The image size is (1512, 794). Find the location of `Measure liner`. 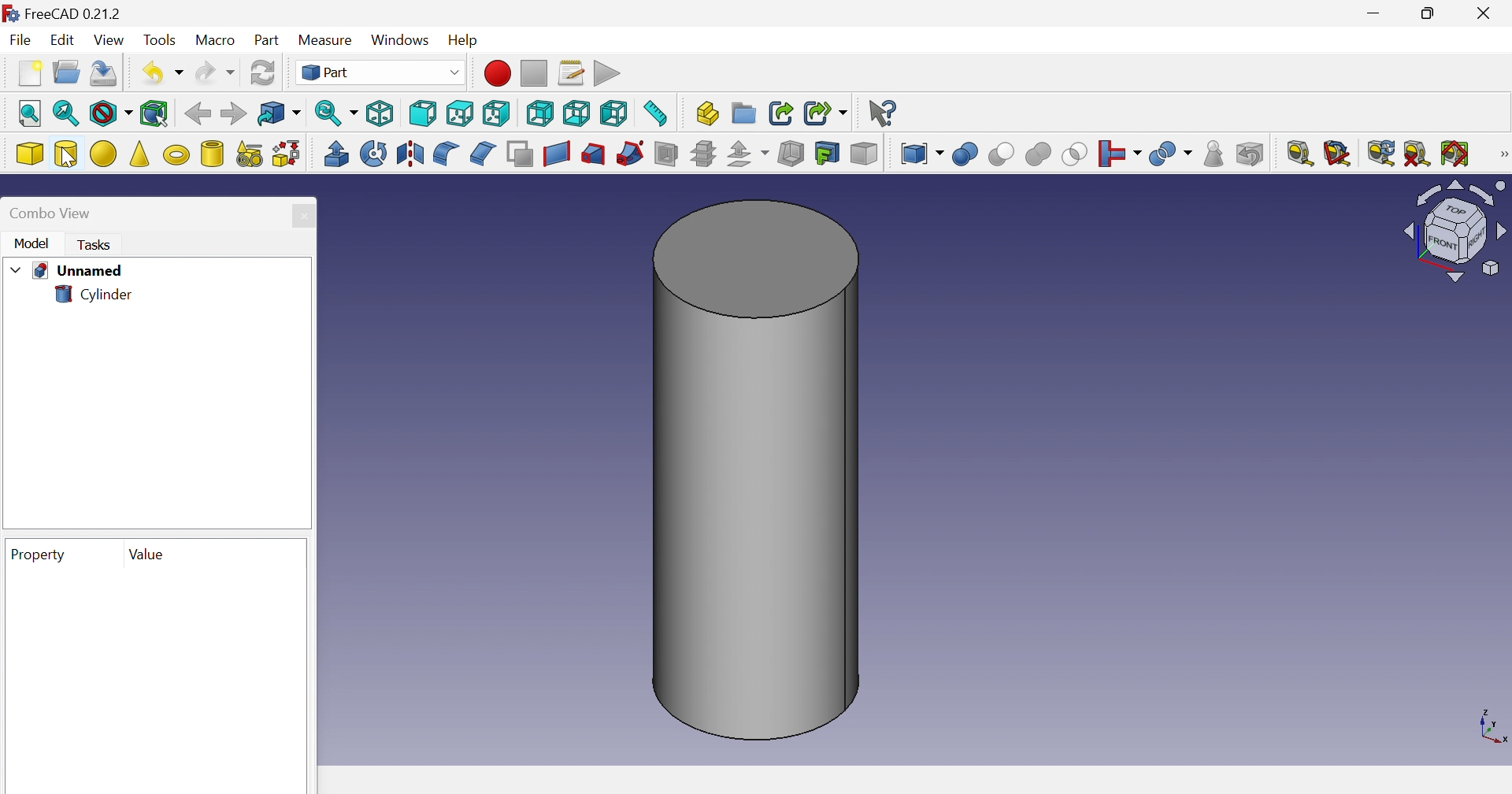

Measure liner is located at coordinates (1301, 154).